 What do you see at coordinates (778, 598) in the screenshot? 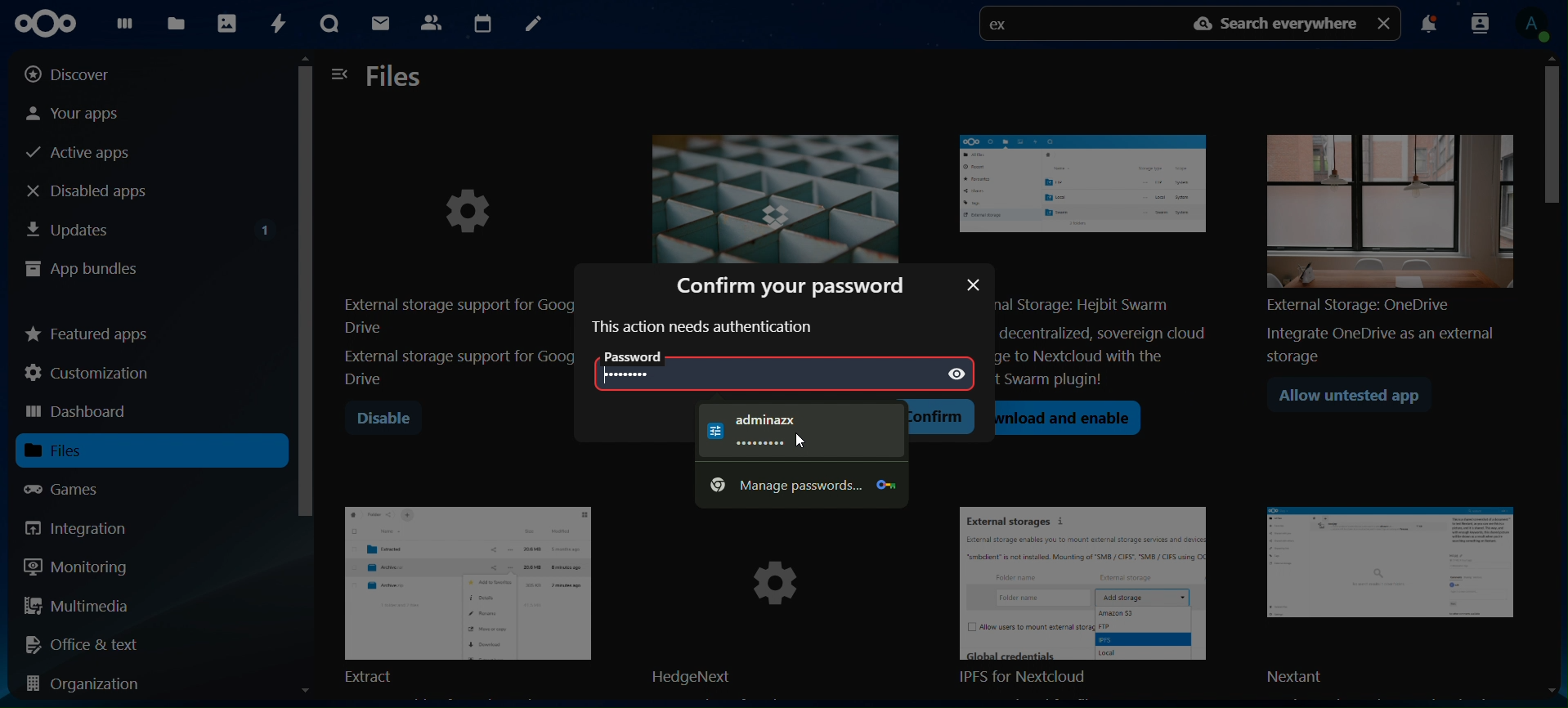
I see `hedgenext` at bounding box center [778, 598].